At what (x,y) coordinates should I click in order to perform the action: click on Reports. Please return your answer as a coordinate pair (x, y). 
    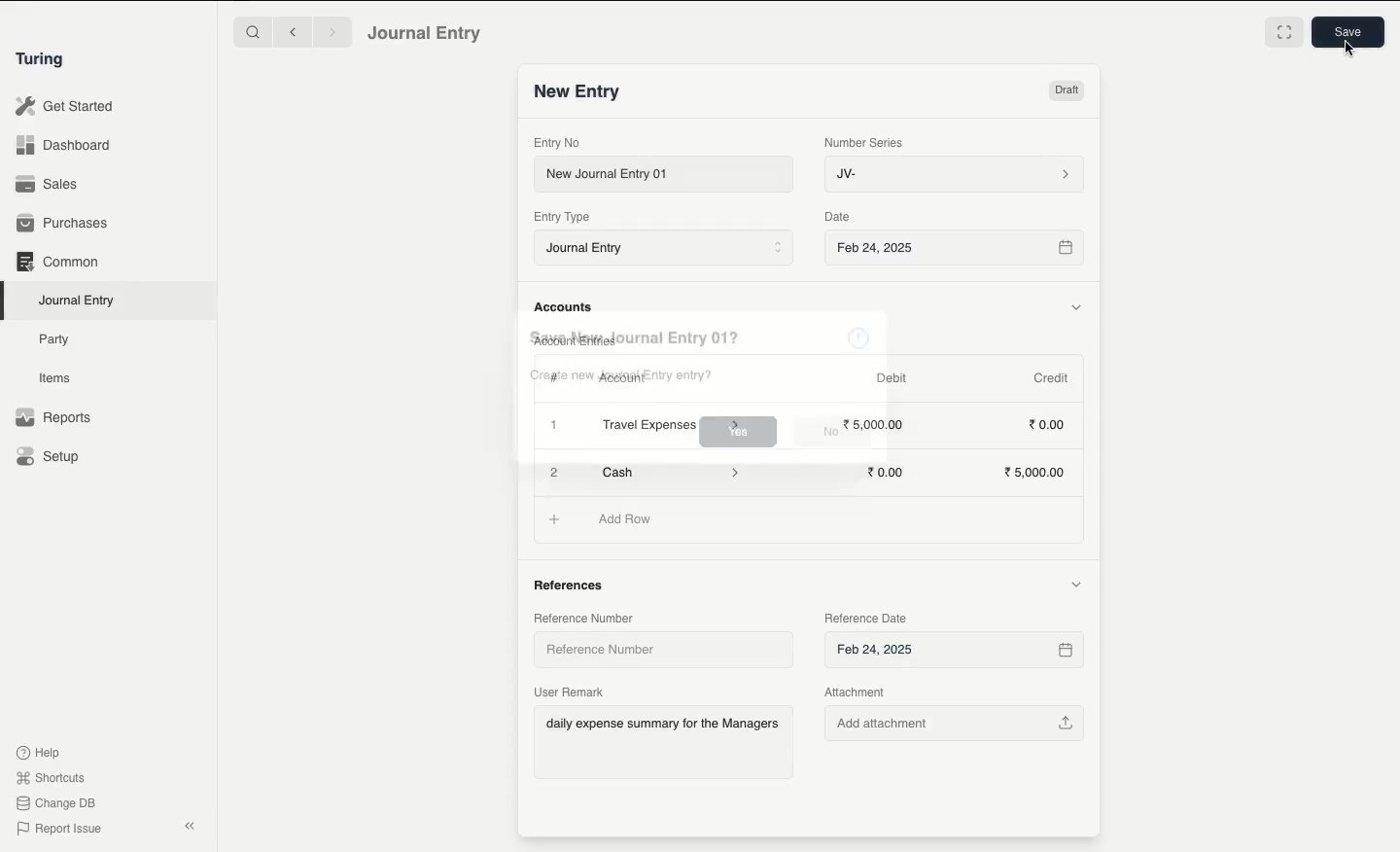
    Looking at the image, I should click on (53, 417).